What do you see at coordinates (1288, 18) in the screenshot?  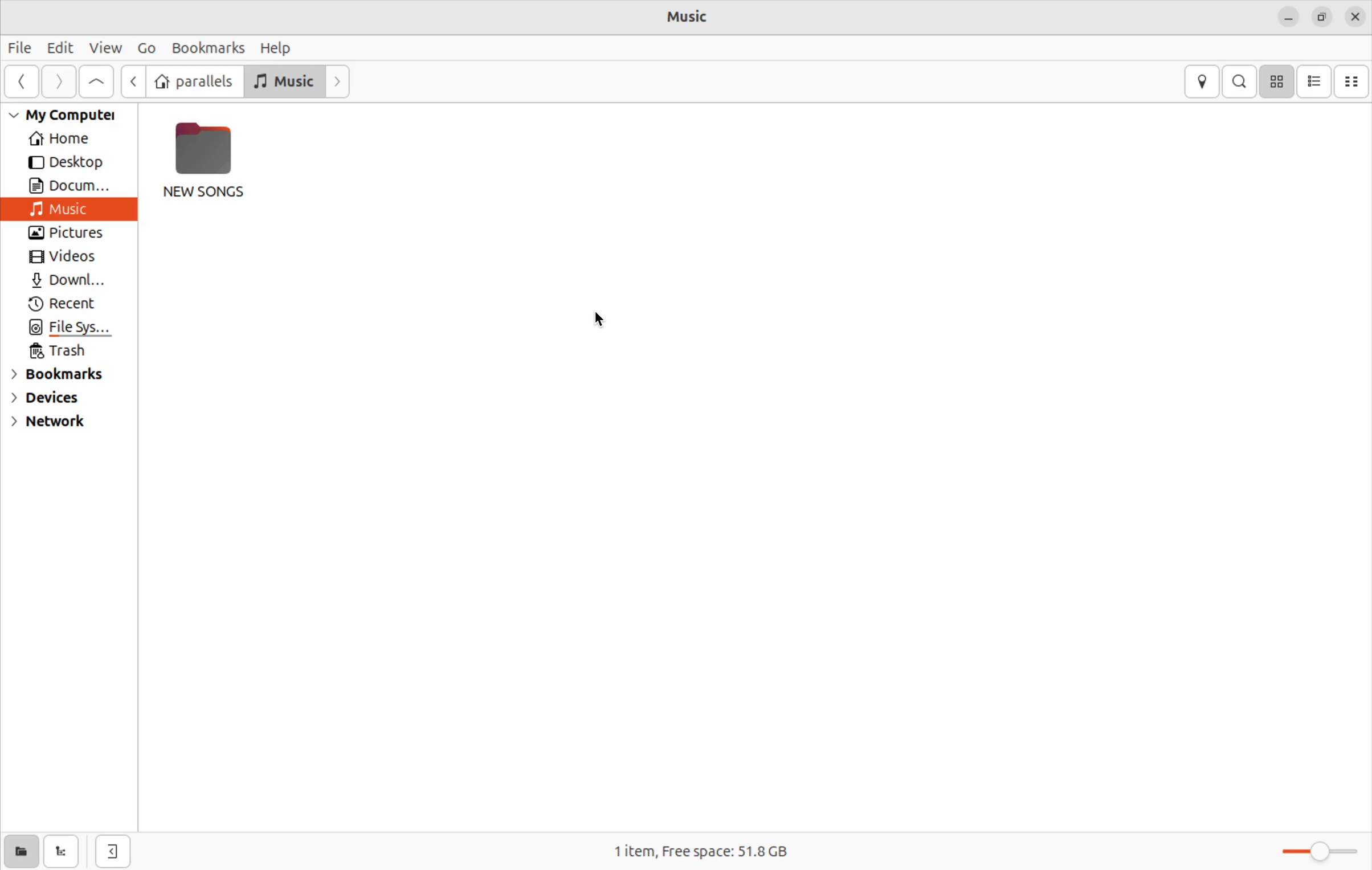 I see `minimize` at bounding box center [1288, 18].